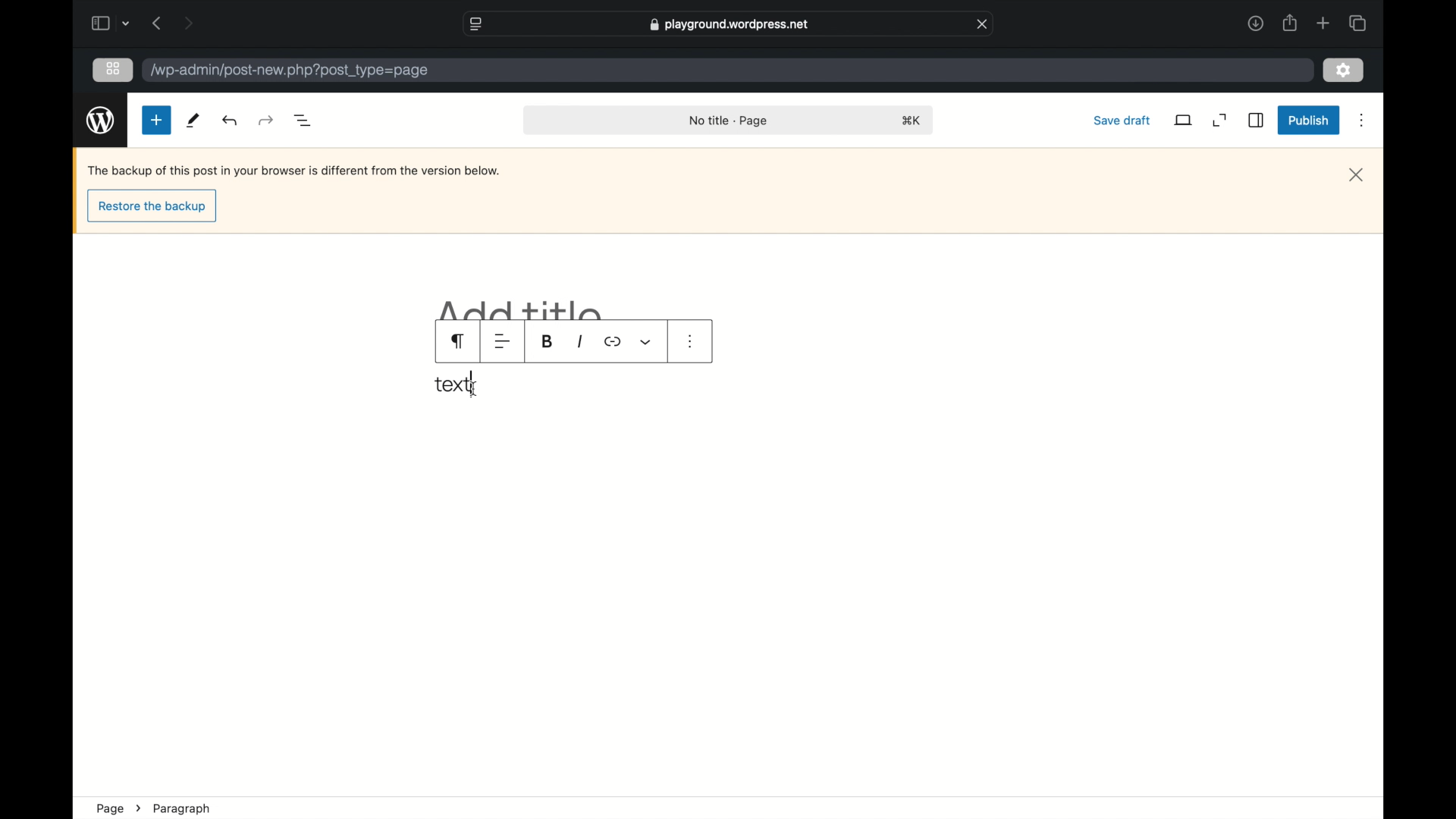 Image resolution: width=1456 pixels, height=819 pixels. I want to click on web address, so click(729, 25).